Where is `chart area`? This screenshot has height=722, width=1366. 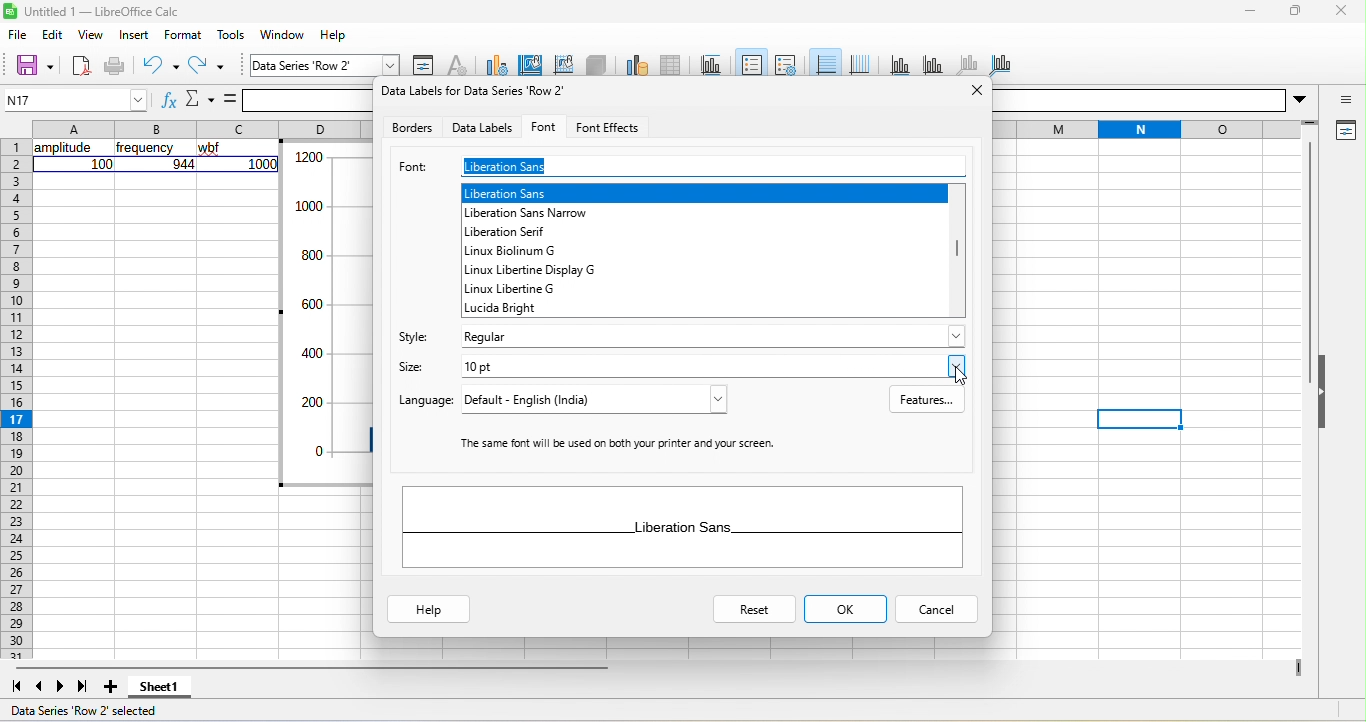 chart area is located at coordinates (526, 63).